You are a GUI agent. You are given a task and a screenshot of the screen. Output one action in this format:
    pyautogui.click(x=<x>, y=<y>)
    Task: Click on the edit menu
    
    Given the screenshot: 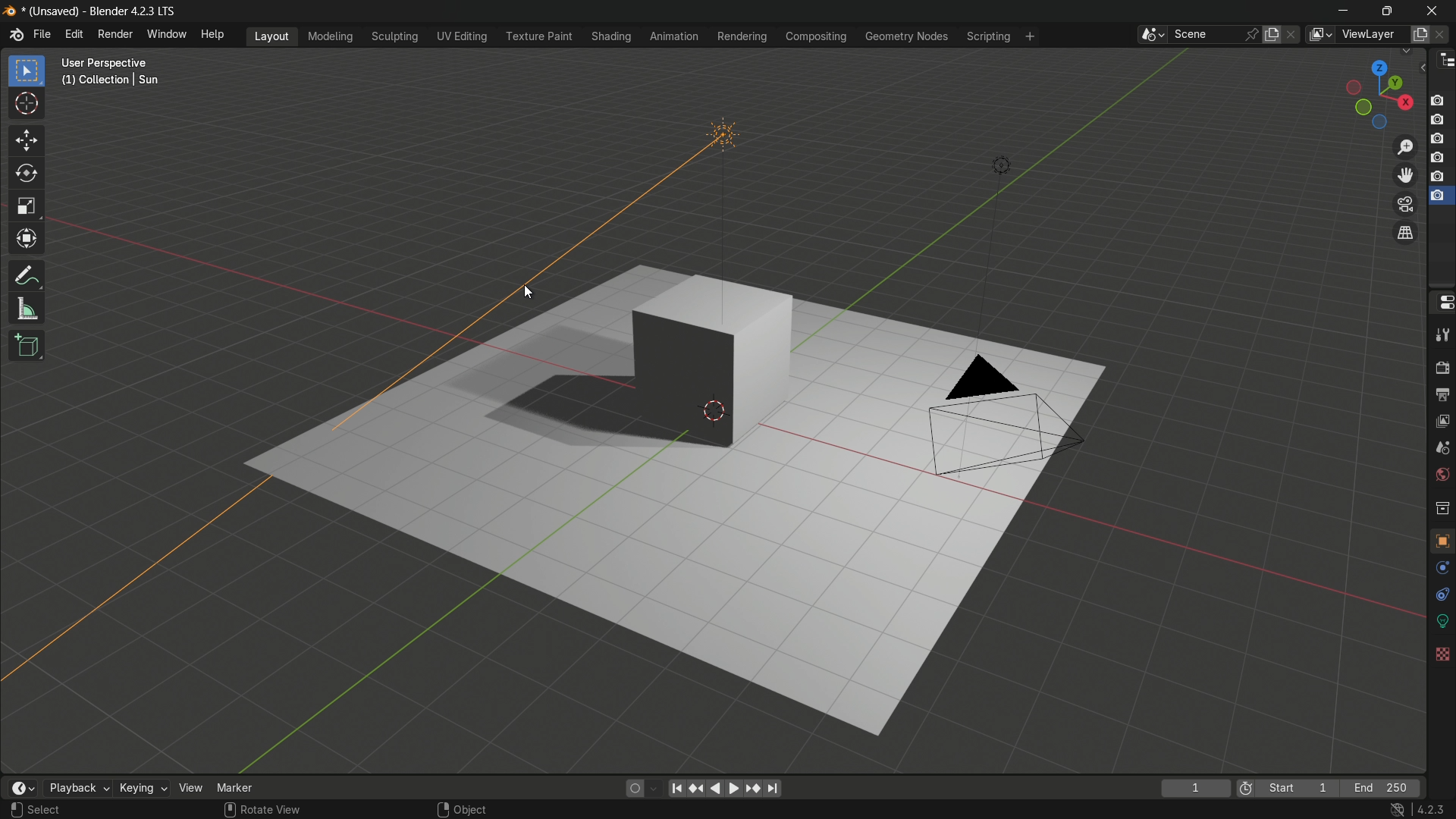 What is the action you would take?
    pyautogui.click(x=74, y=33)
    